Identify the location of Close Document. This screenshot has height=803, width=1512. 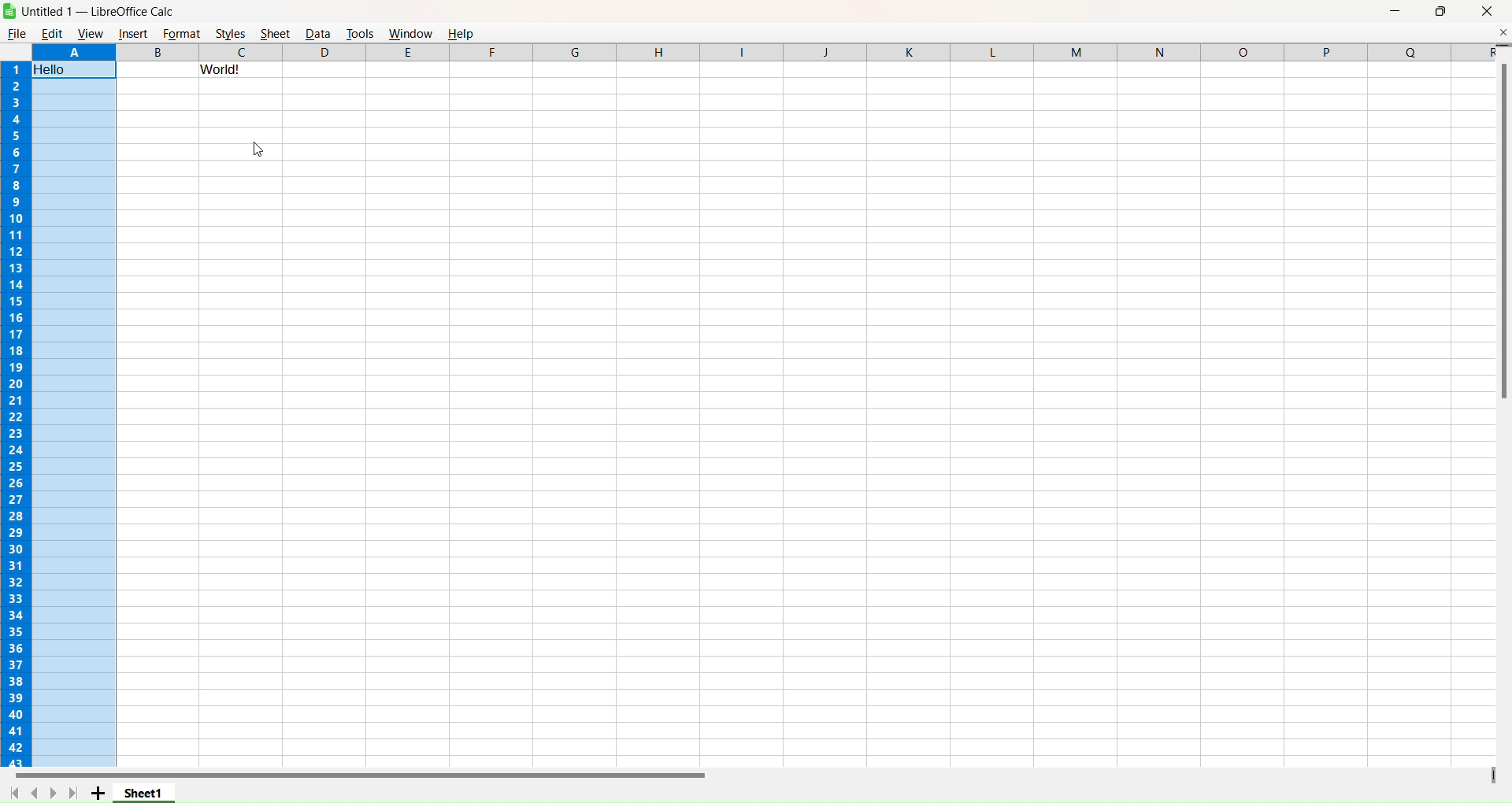
(1503, 31).